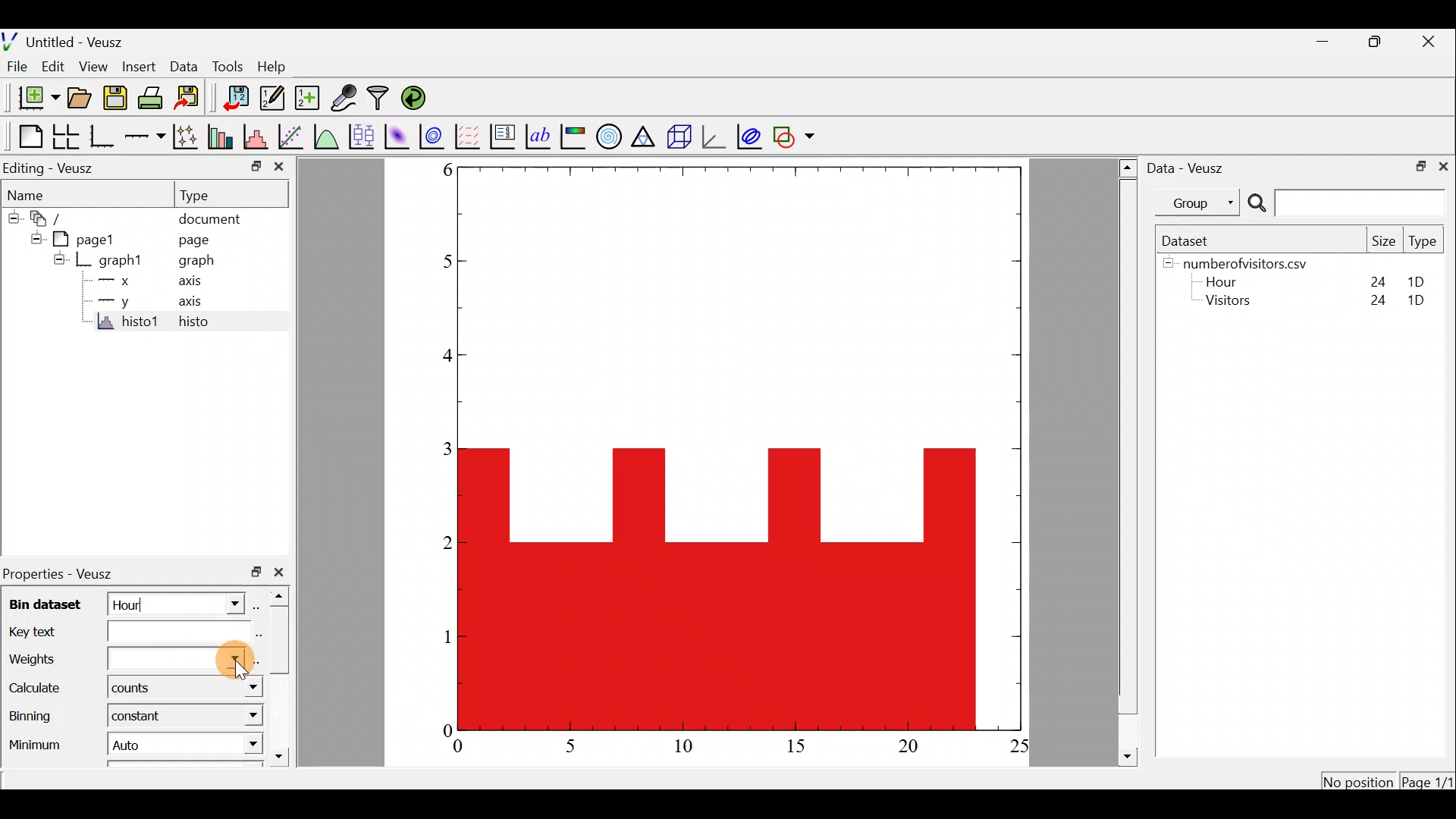 The height and width of the screenshot is (819, 1456). I want to click on 5, so click(441, 260).